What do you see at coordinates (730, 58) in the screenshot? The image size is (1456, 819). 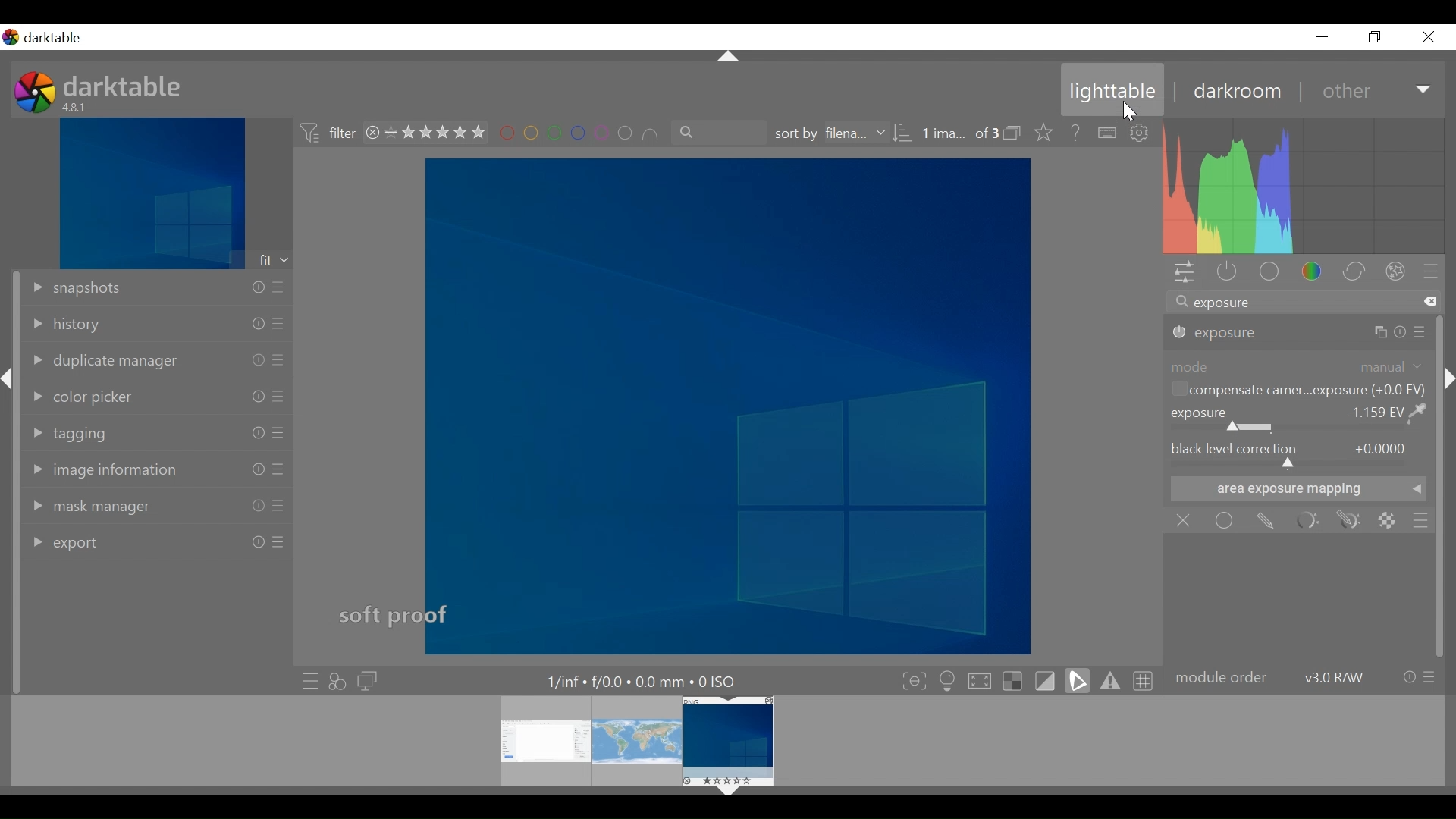 I see `Collapse ` at bounding box center [730, 58].